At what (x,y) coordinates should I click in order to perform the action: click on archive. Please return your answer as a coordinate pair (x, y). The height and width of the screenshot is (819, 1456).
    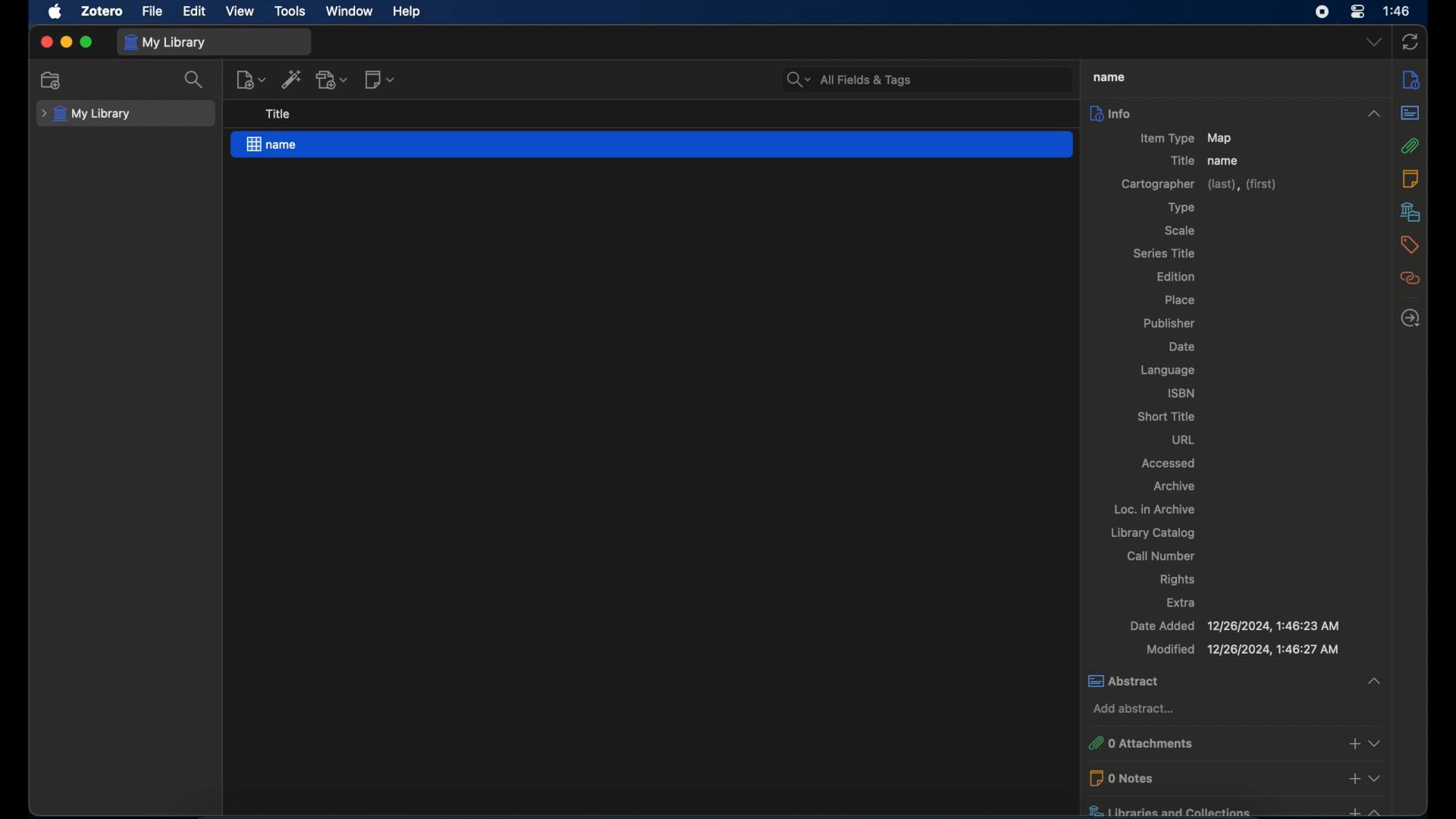
    Looking at the image, I should click on (1175, 485).